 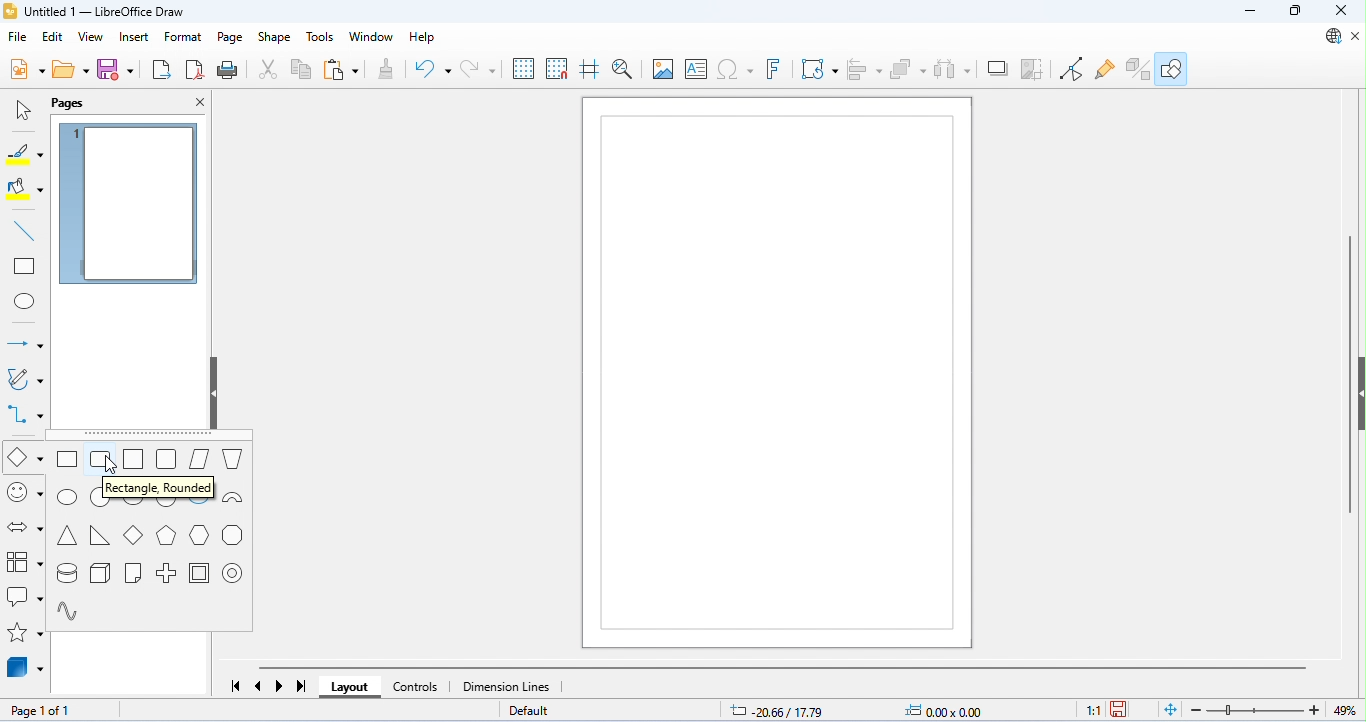 What do you see at coordinates (200, 502) in the screenshot?
I see `arc` at bounding box center [200, 502].